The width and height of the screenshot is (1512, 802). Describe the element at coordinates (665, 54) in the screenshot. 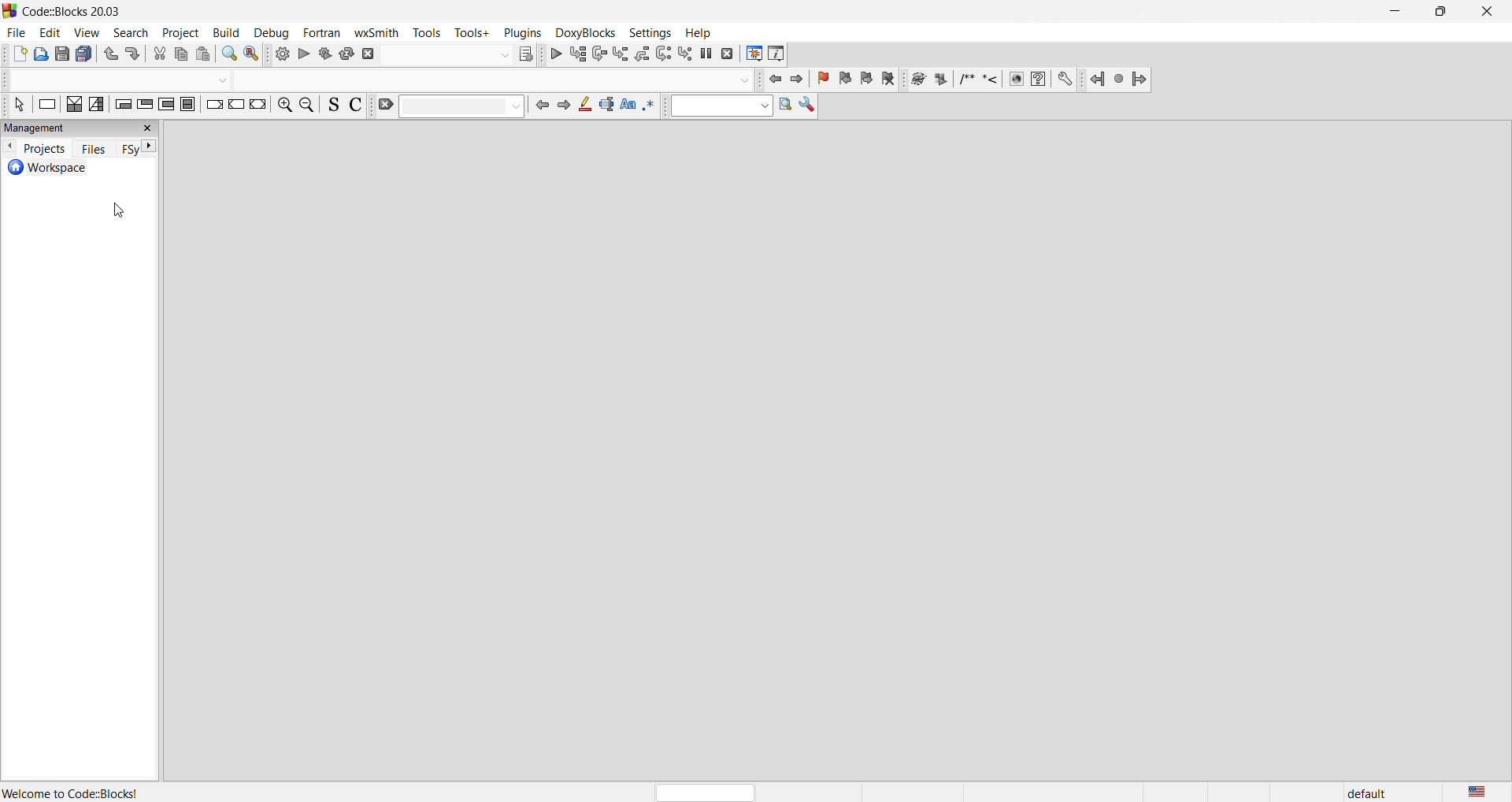

I see `next instruction` at that location.